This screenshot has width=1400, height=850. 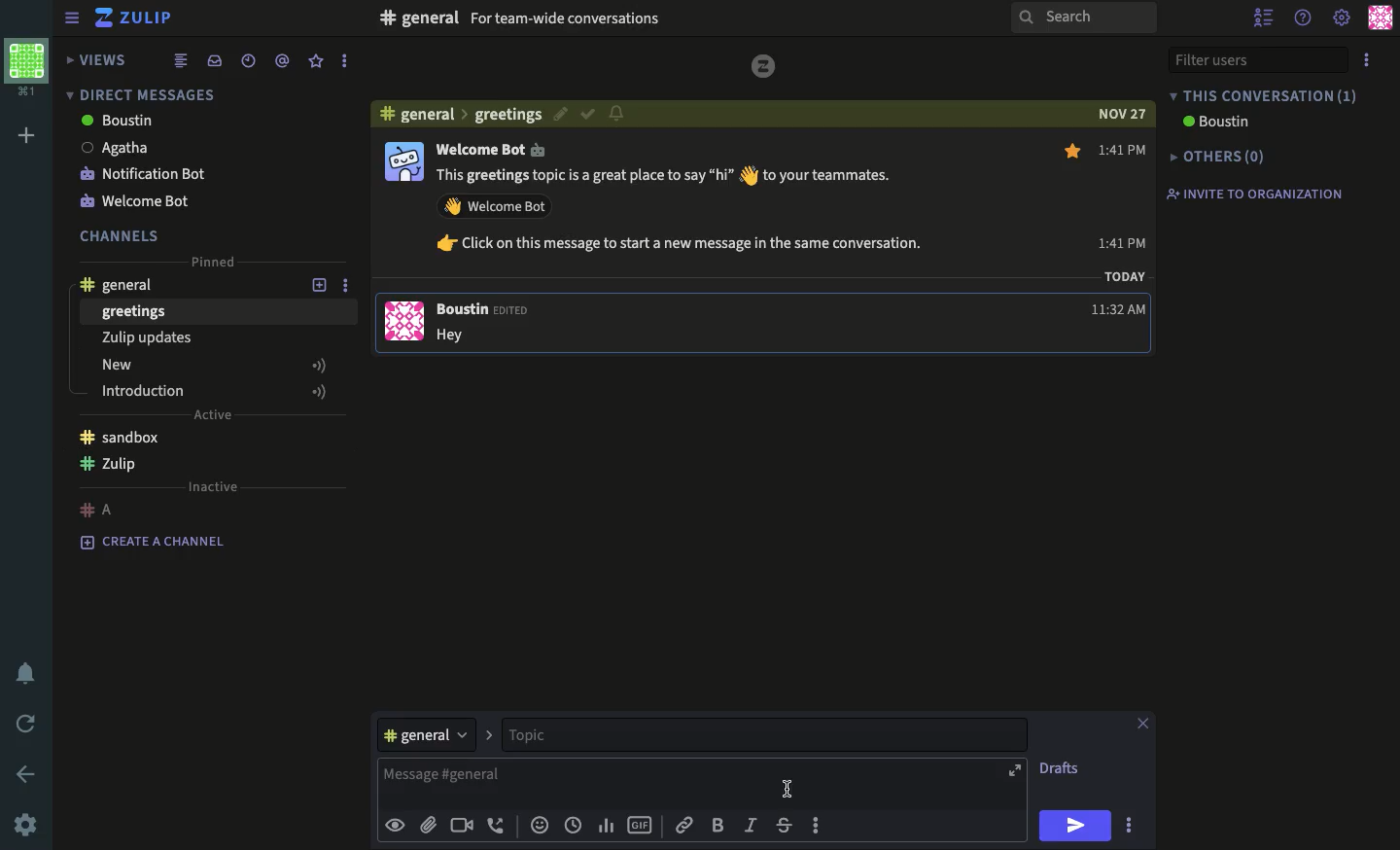 I want to click on gif, so click(x=643, y=823).